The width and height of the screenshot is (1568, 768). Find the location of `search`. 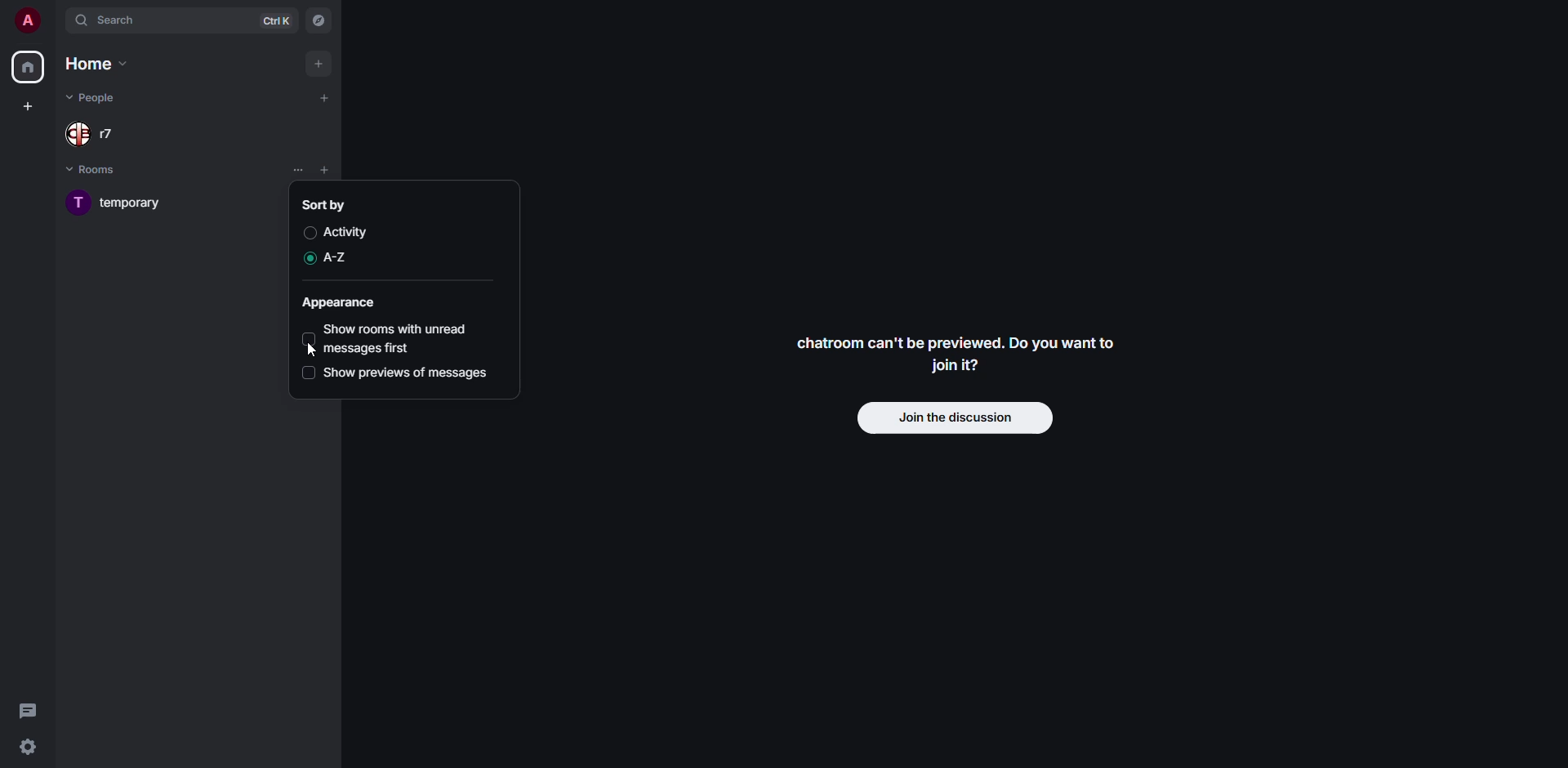

search is located at coordinates (114, 20).